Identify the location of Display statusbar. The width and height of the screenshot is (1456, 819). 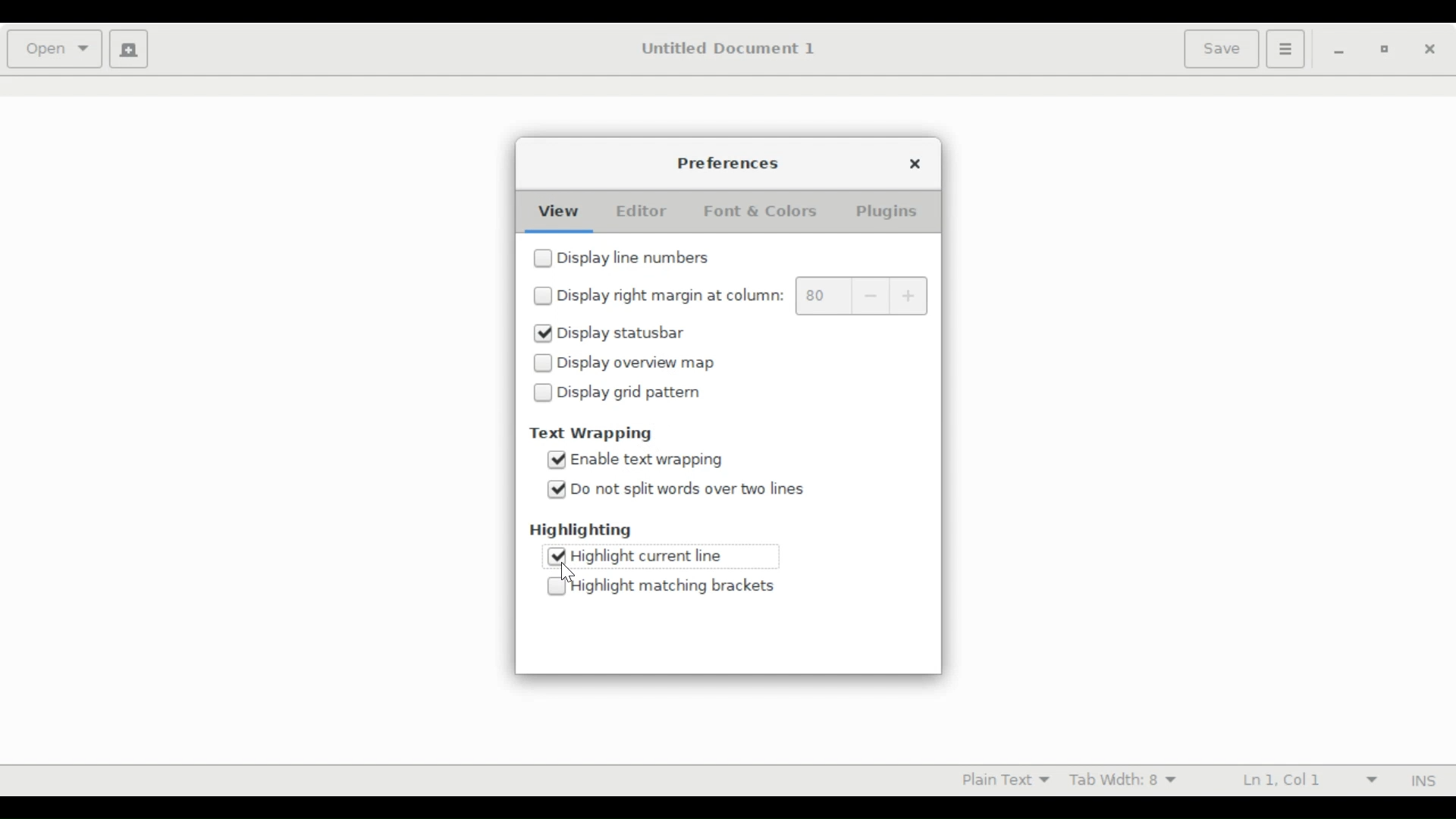
(622, 334).